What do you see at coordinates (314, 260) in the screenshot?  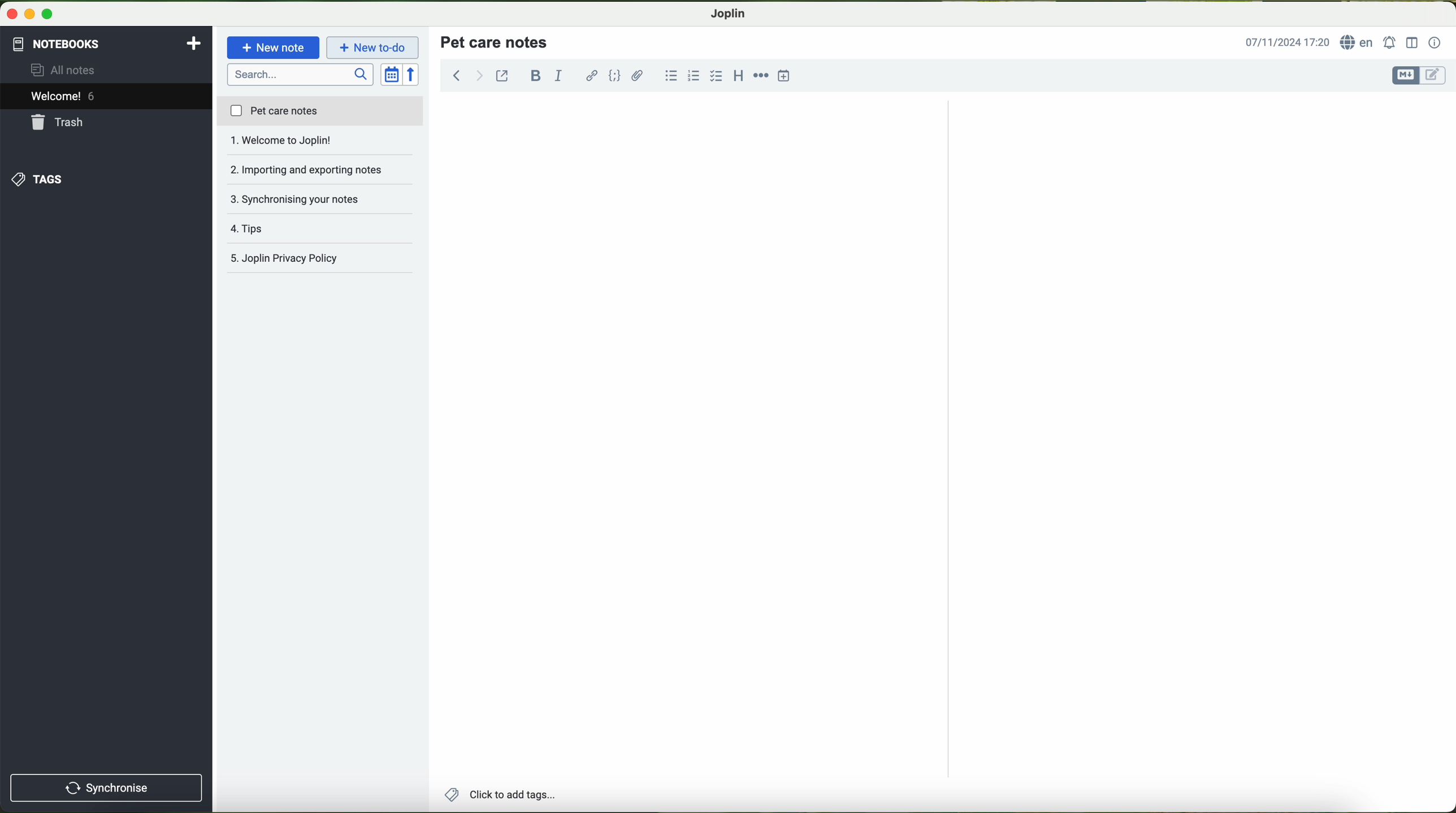 I see `joplin privacy policy` at bounding box center [314, 260].